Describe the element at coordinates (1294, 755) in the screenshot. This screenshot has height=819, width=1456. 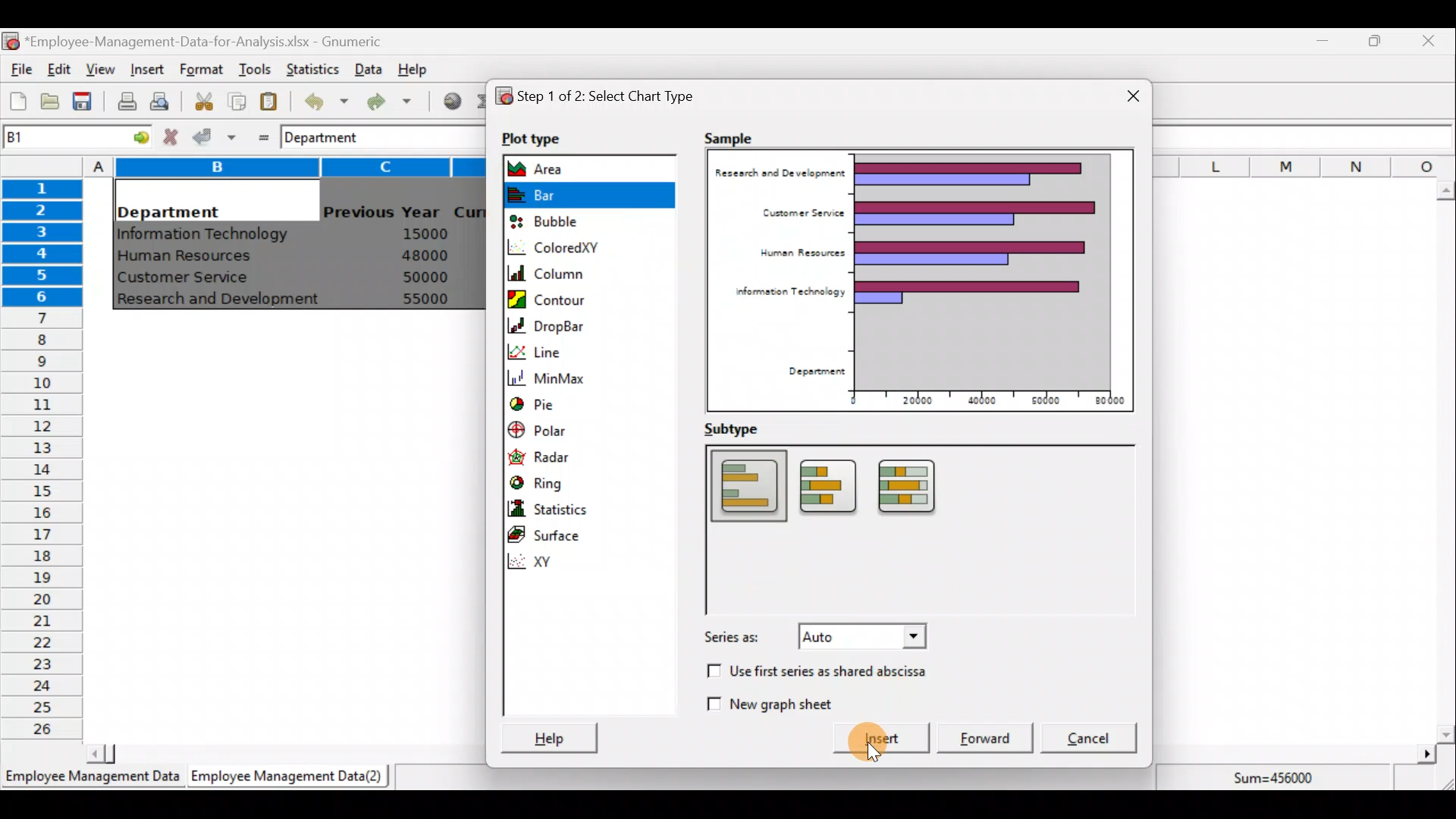
I see `Scroll bar` at that location.